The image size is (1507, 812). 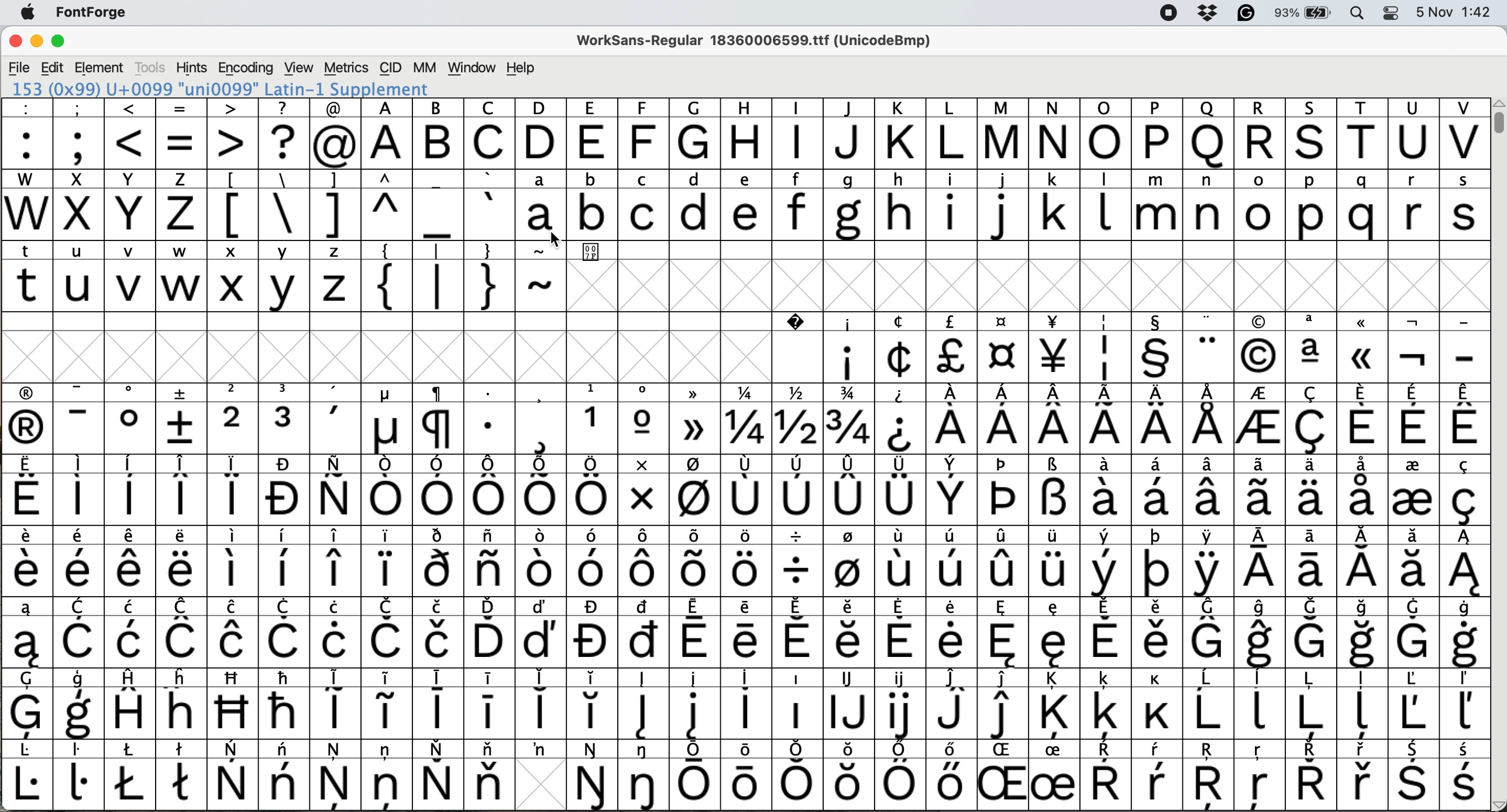 What do you see at coordinates (284, 562) in the screenshot?
I see `symbol` at bounding box center [284, 562].